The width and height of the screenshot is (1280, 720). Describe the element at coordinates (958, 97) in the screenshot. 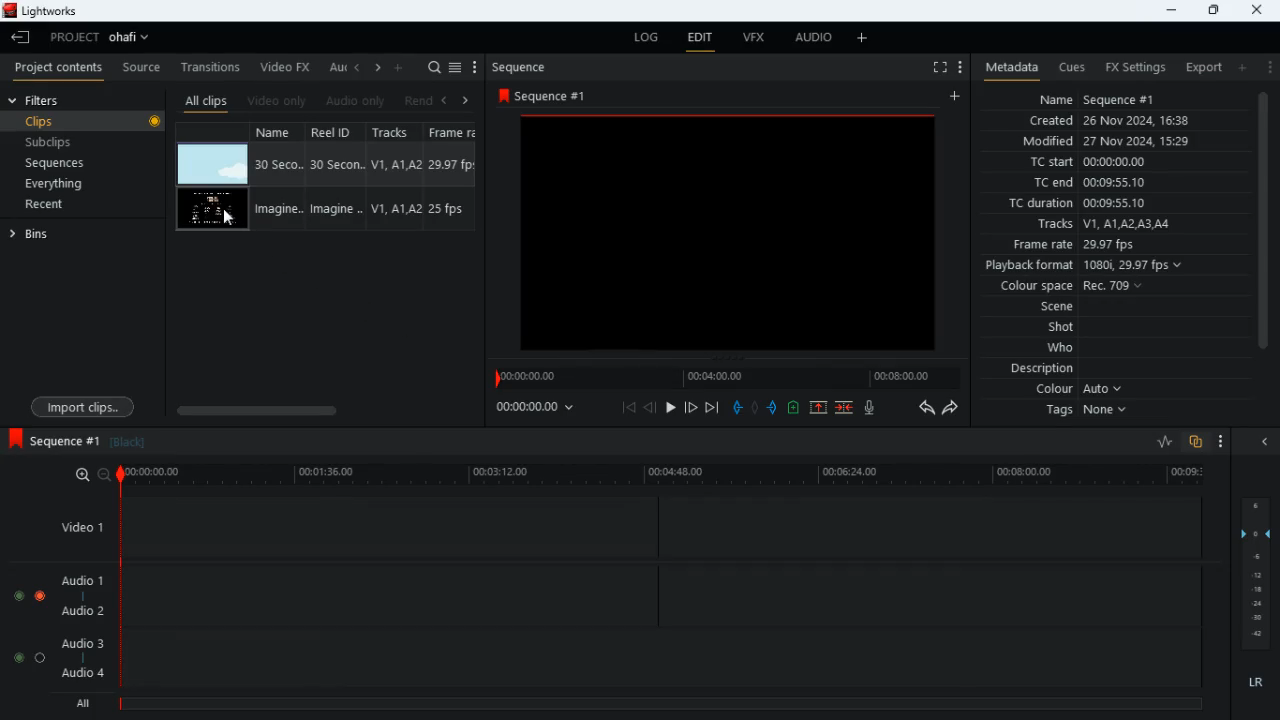

I see `add` at that location.